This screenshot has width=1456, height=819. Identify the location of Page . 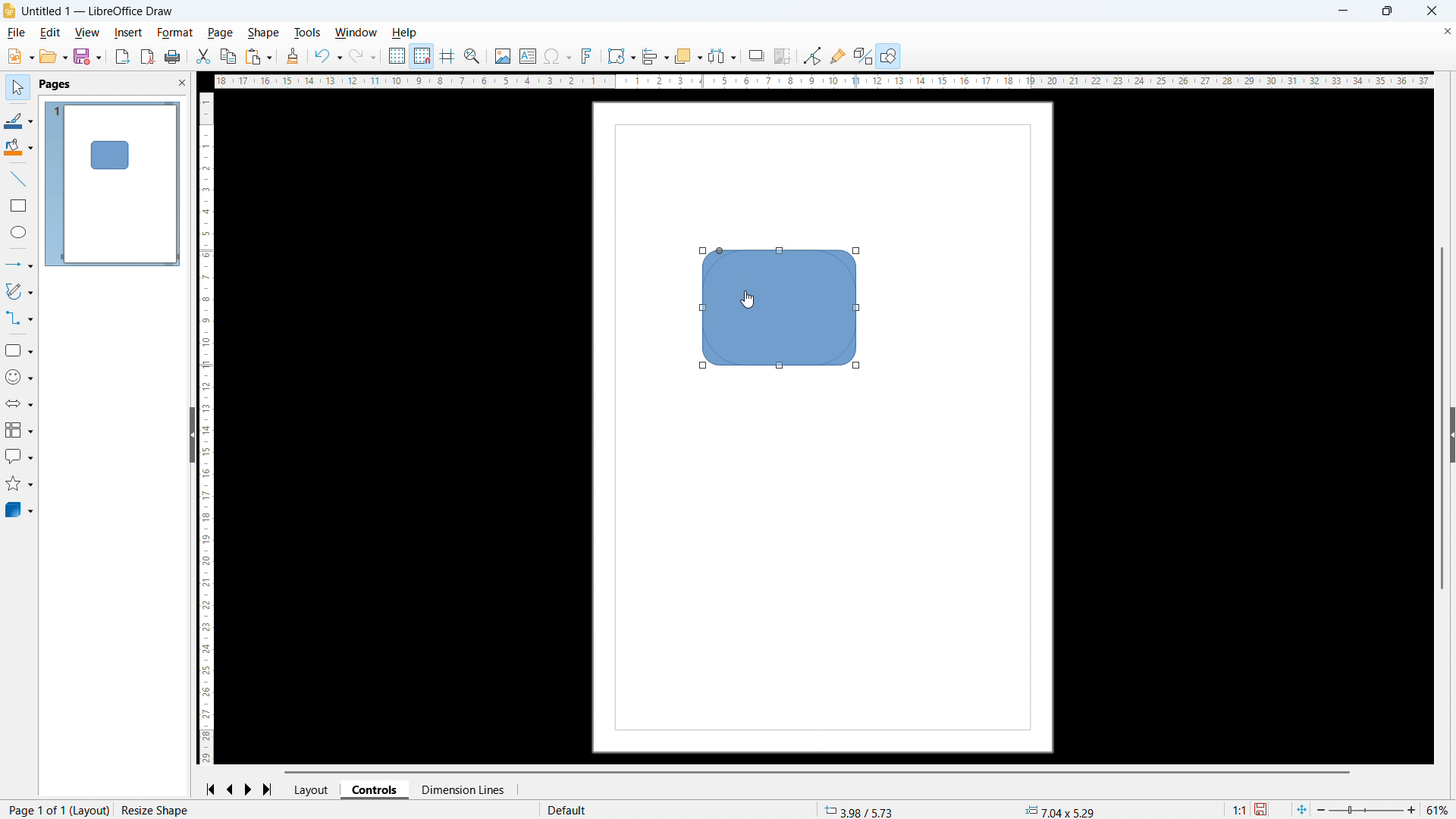
(220, 33).